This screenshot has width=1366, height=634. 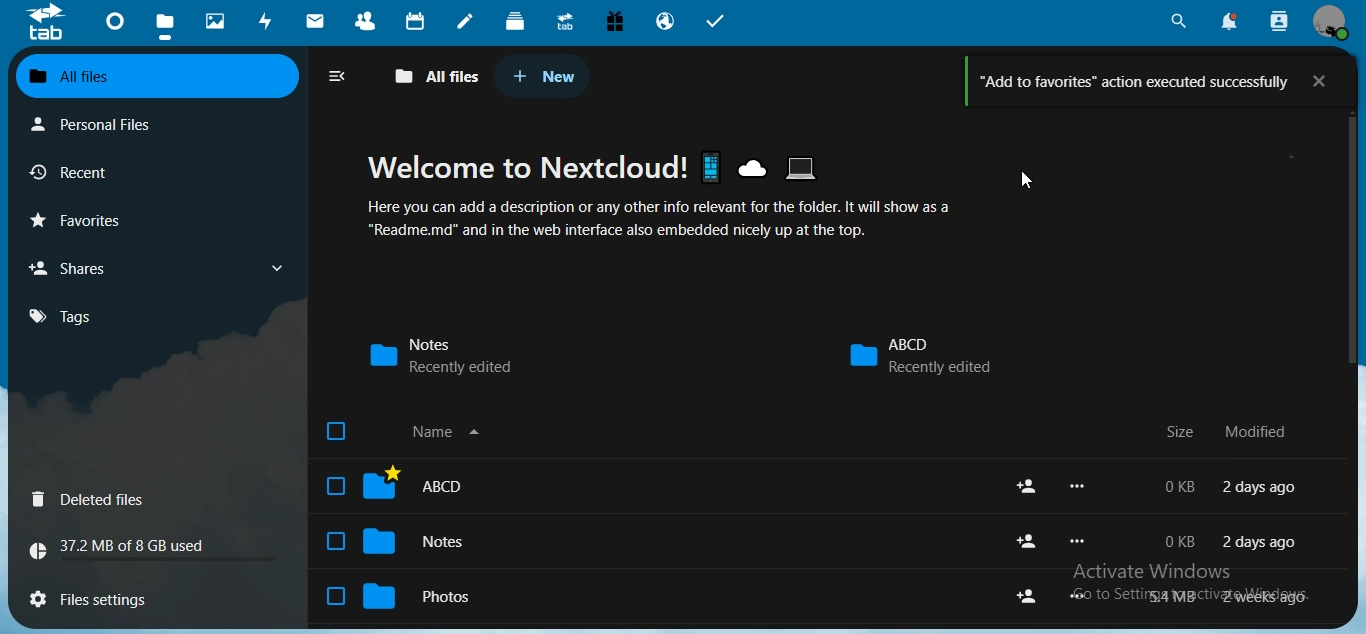 What do you see at coordinates (417, 20) in the screenshot?
I see `calendar` at bounding box center [417, 20].